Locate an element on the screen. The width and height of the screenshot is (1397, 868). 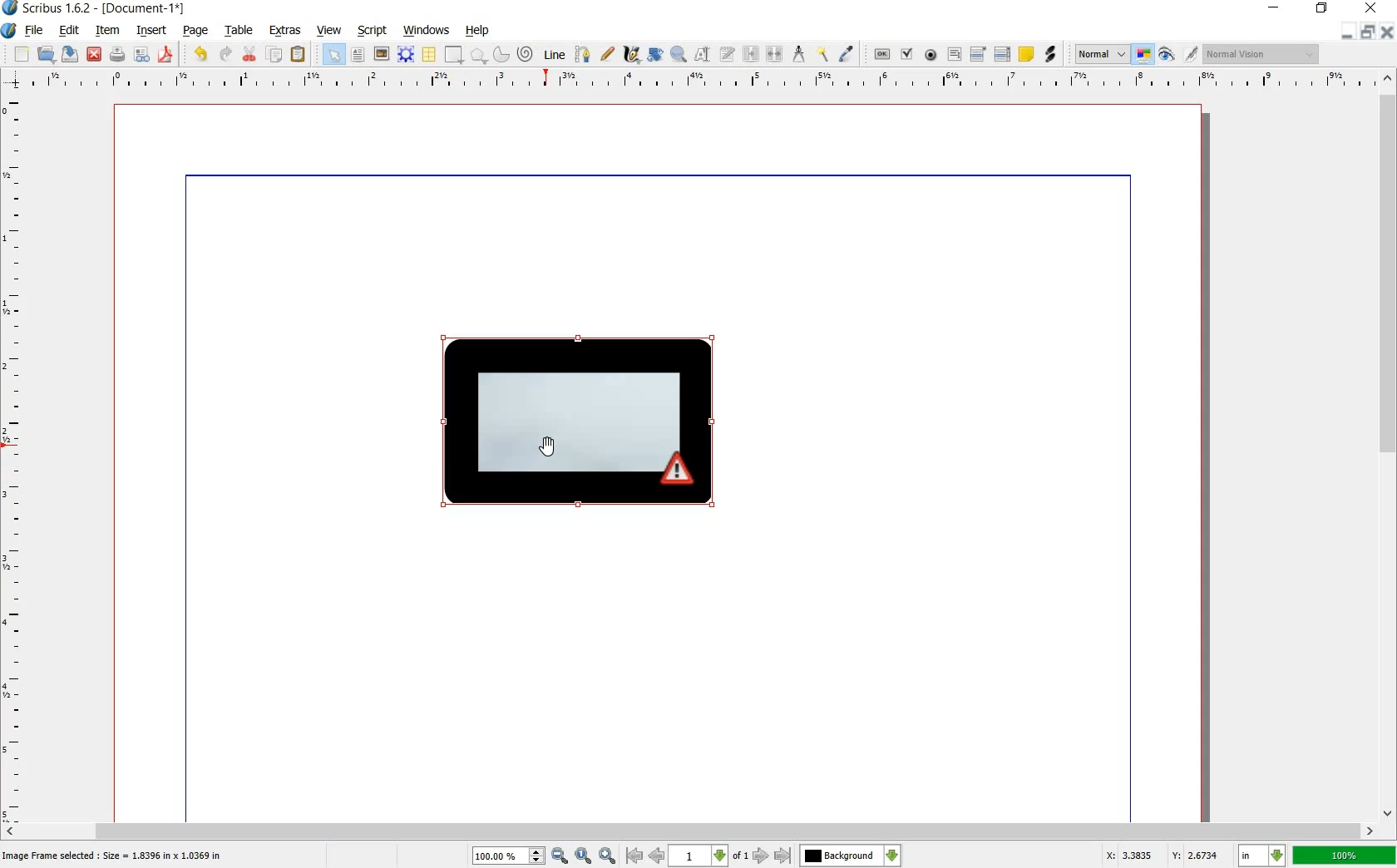
edit contents of frame is located at coordinates (702, 56).